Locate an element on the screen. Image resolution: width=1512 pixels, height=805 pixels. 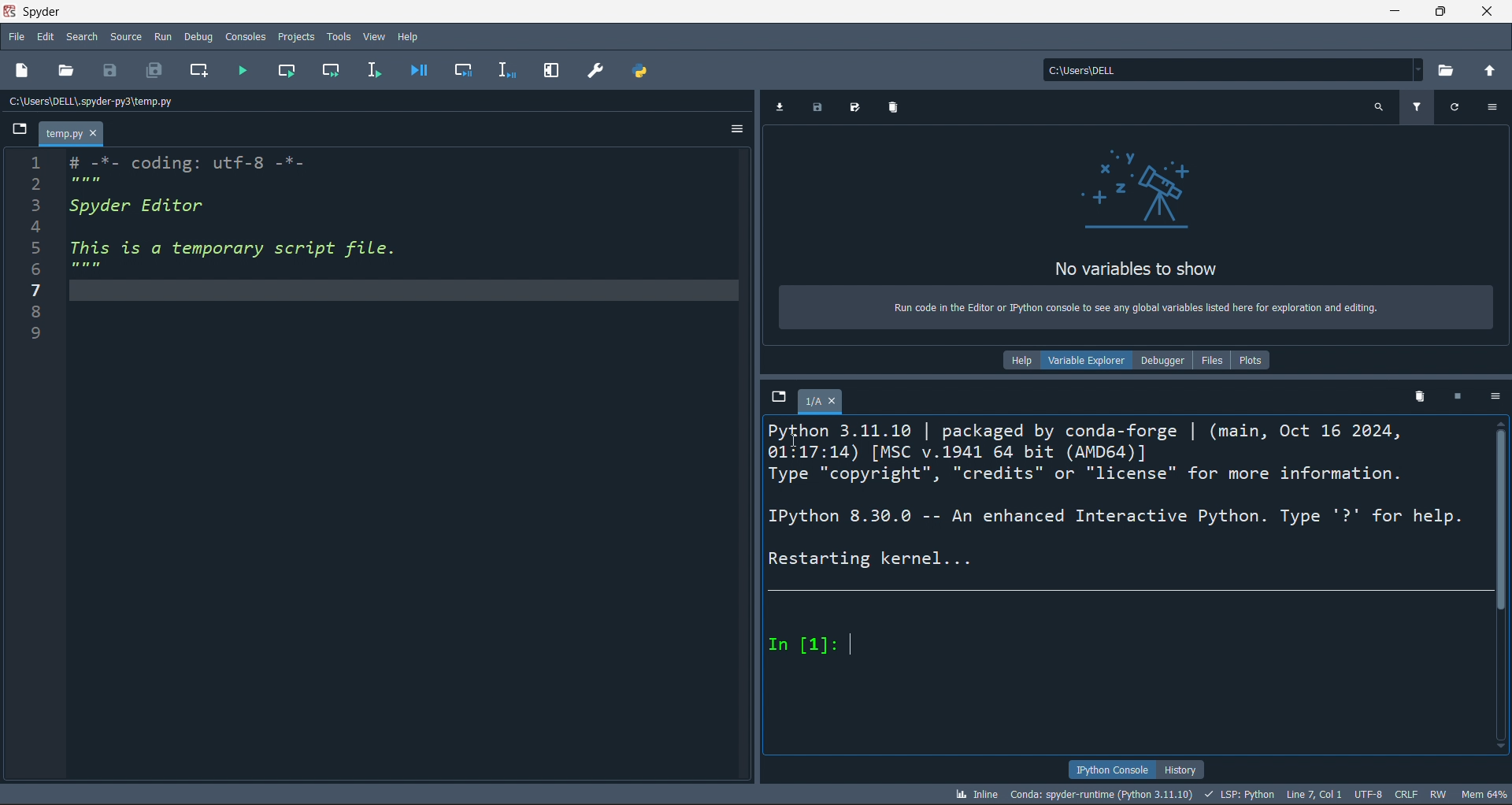
expand pane is located at coordinates (551, 69).